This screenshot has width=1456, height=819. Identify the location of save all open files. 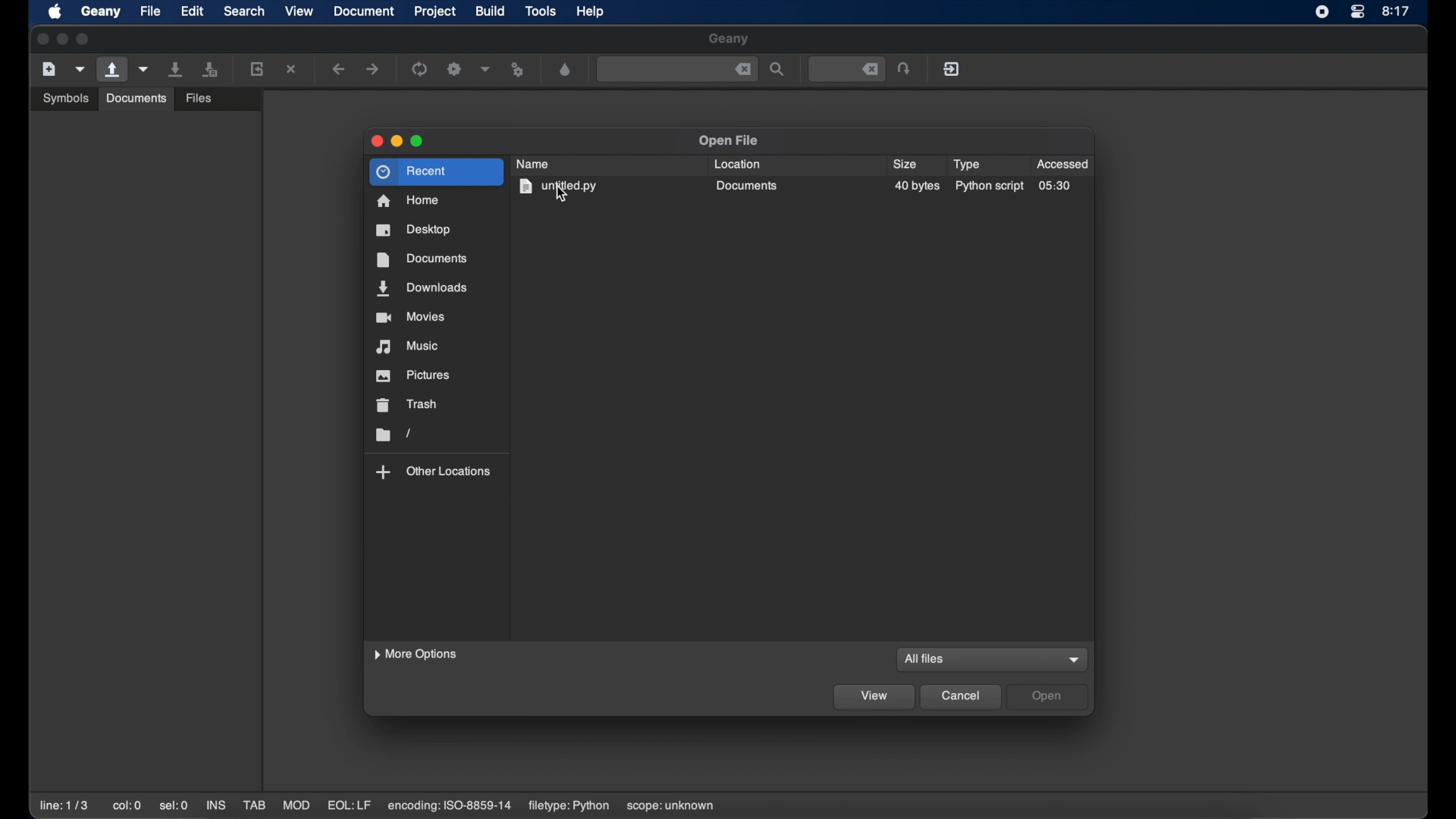
(210, 69).